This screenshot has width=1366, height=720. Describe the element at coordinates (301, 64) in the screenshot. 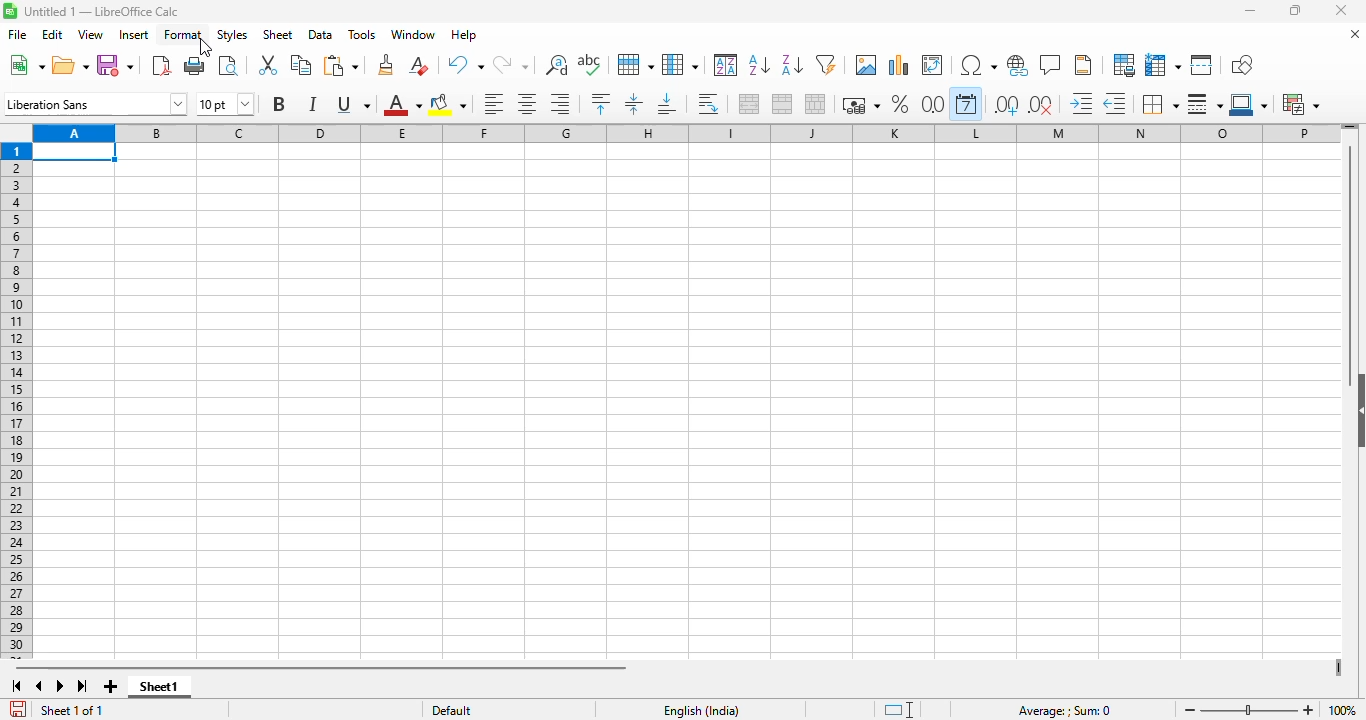

I see `copy` at that location.